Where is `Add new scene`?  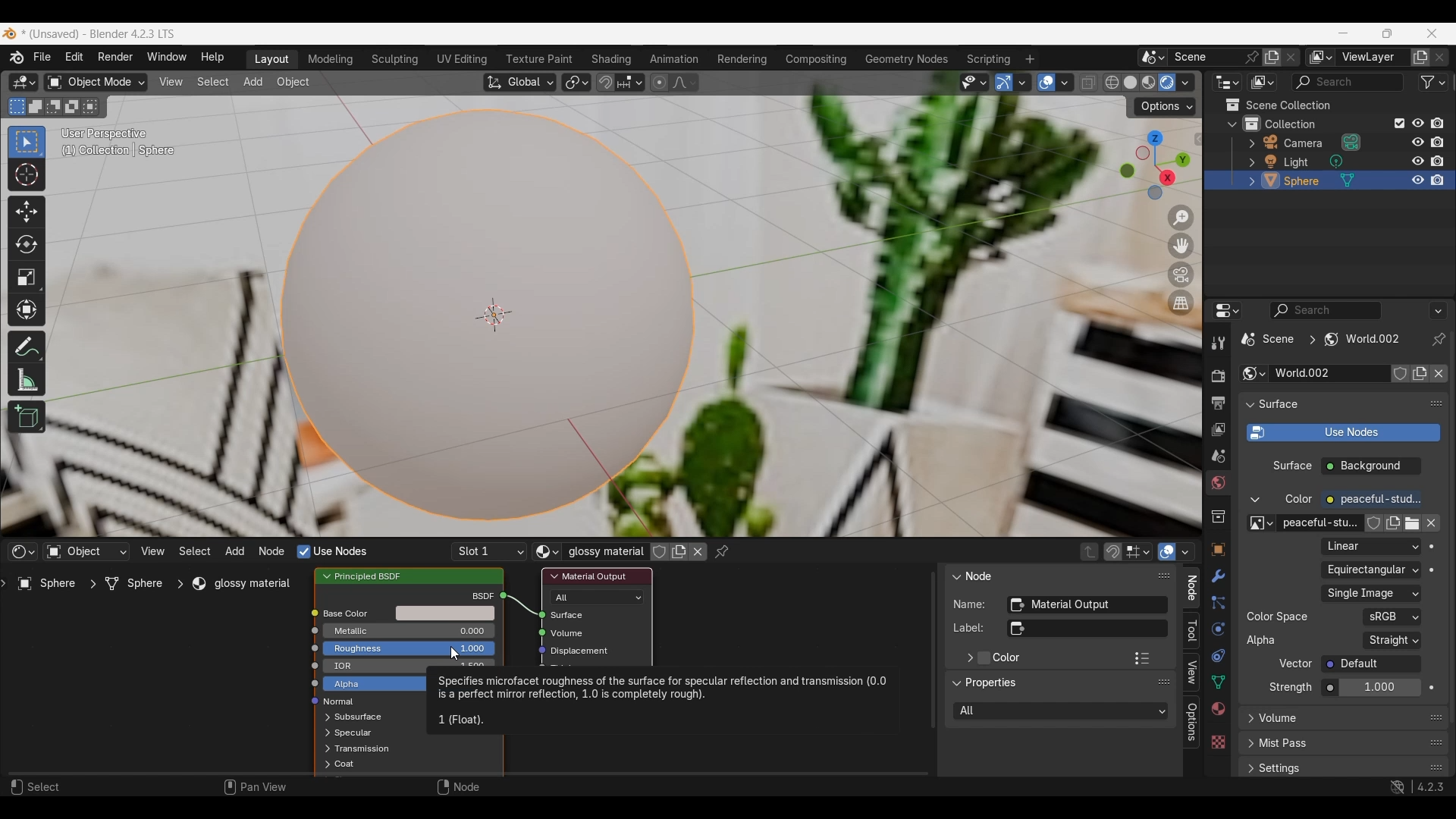
Add new scene is located at coordinates (1273, 57).